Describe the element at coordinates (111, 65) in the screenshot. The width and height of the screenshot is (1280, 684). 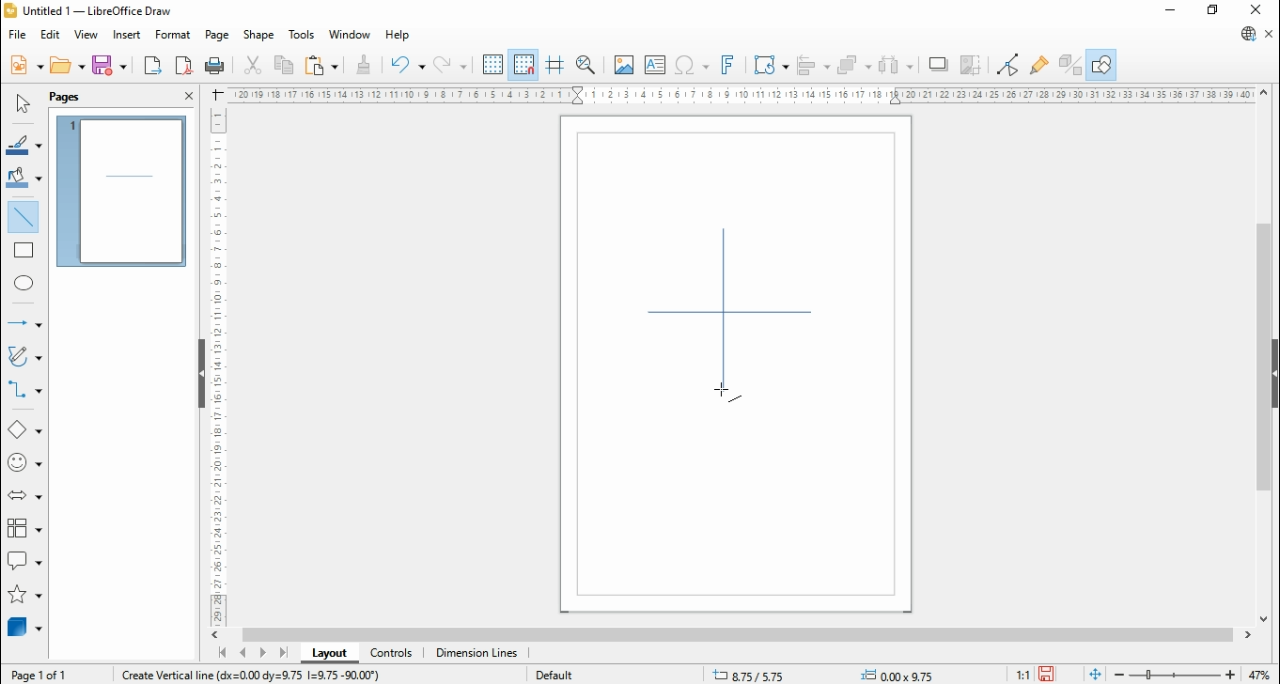
I see `save` at that location.